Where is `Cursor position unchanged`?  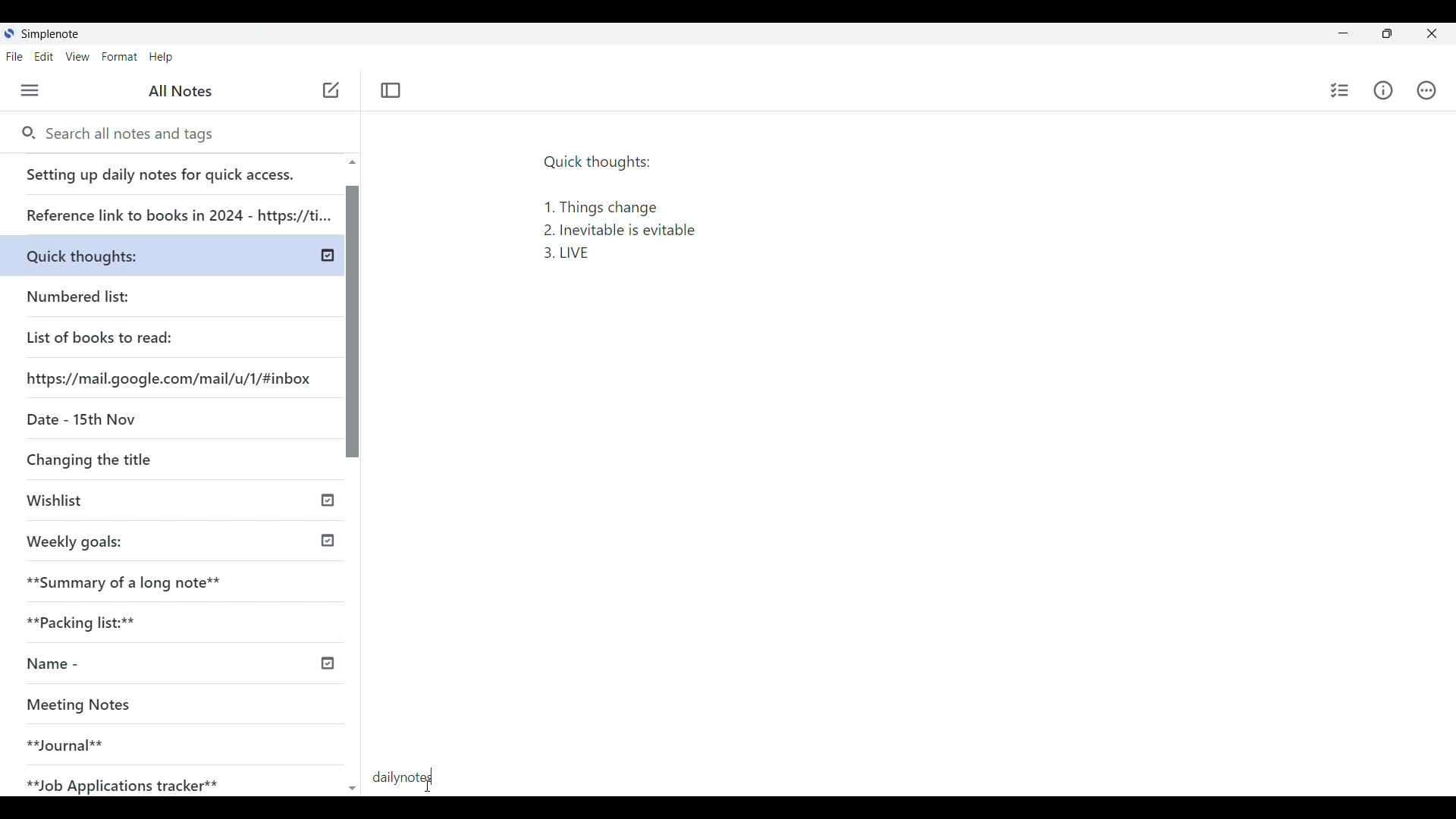 Cursor position unchanged is located at coordinates (331, 91).